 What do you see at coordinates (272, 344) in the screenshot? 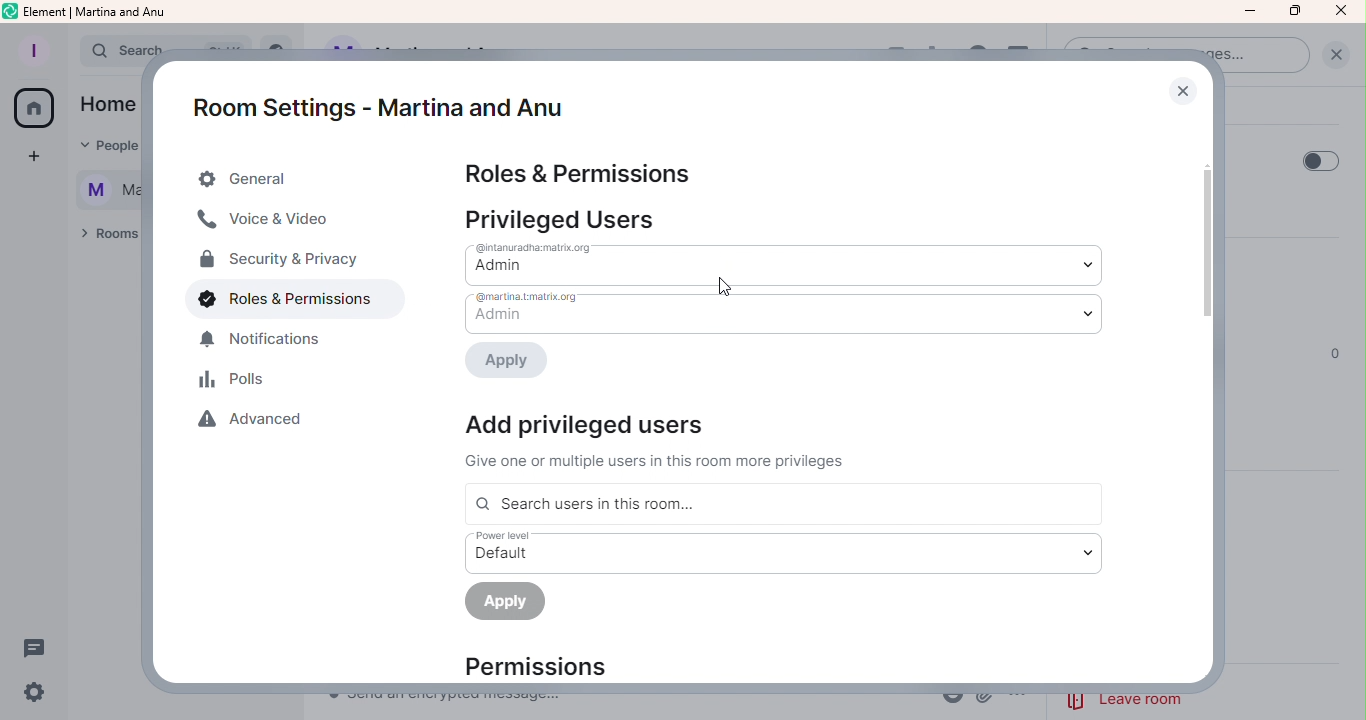
I see `Notifications` at bounding box center [272, 344].